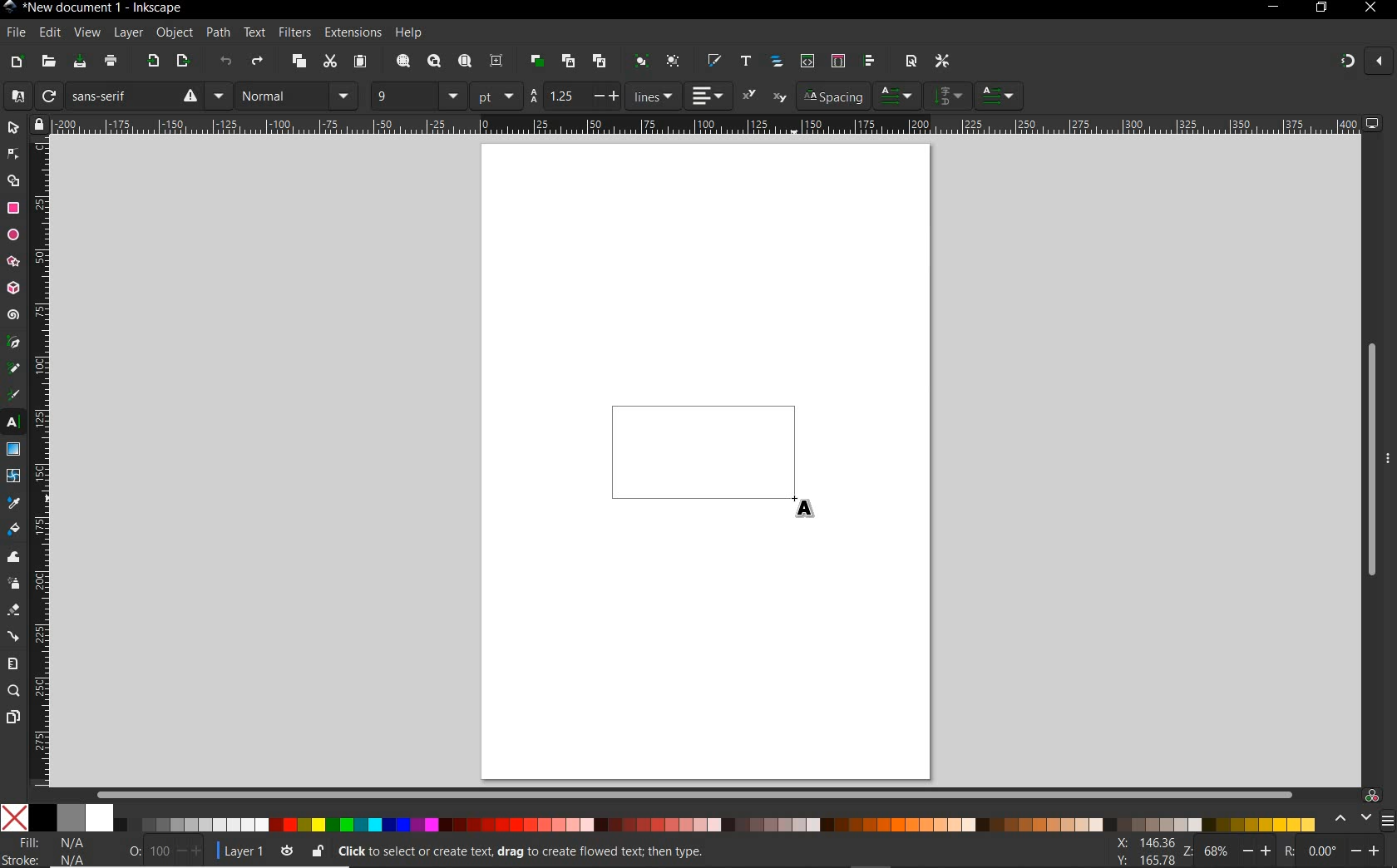  Describe the element at coordinates (41, 462) in the screenshot. I see `ruler` at that location.